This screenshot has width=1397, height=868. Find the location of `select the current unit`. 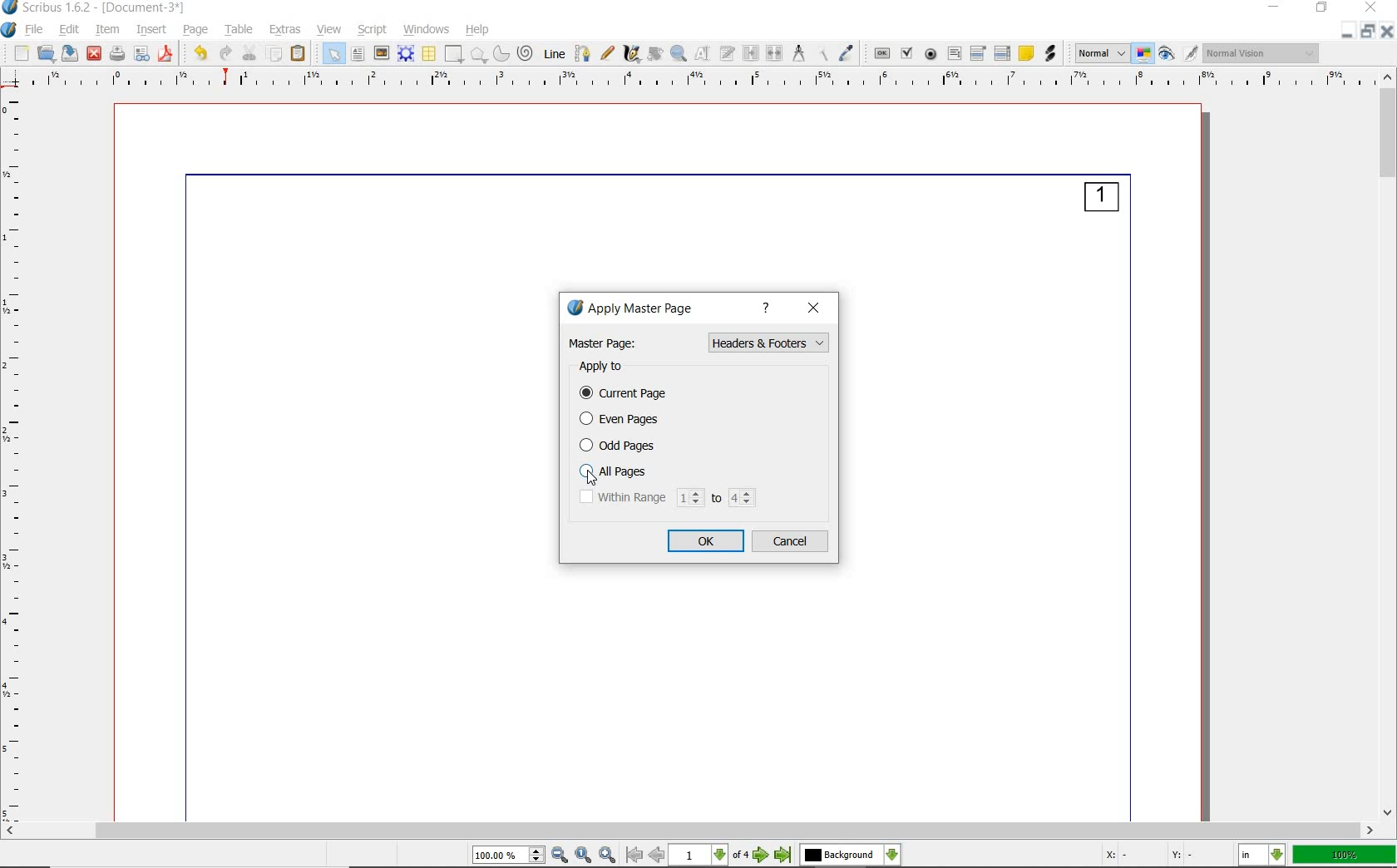

select the current unit is located at coordinates (1262, 854).